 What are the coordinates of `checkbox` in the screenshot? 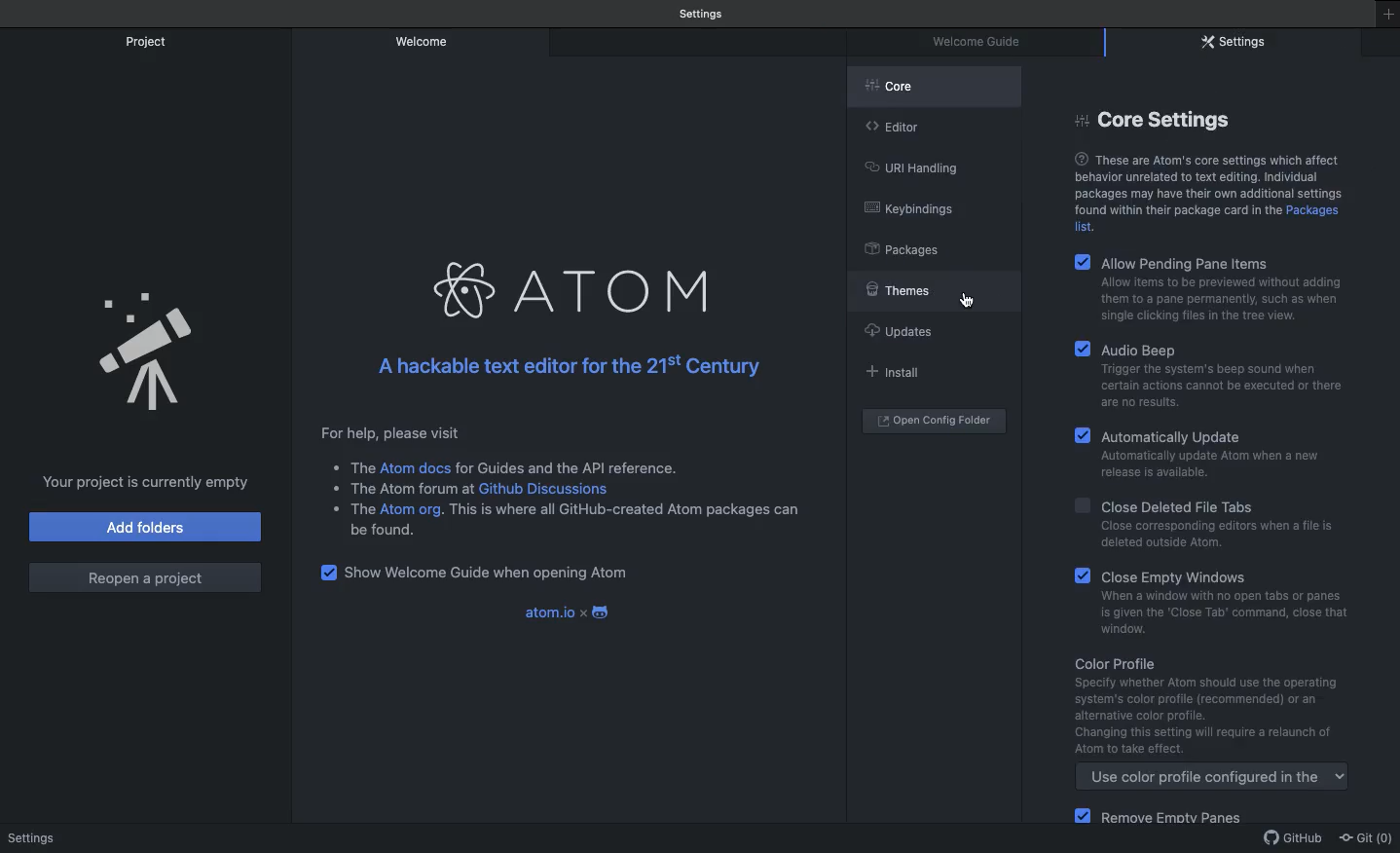 It's located at (1081, 347).